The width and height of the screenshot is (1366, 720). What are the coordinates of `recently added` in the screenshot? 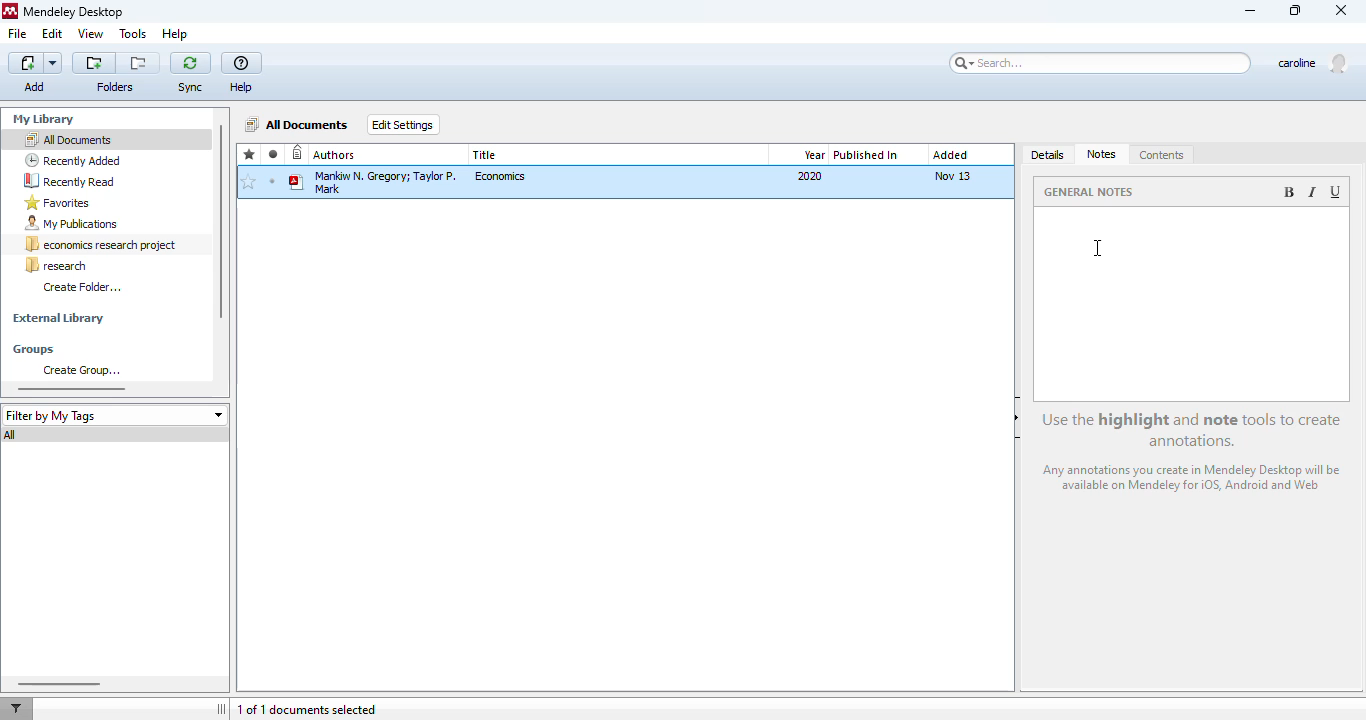 It's located at (298, 154).